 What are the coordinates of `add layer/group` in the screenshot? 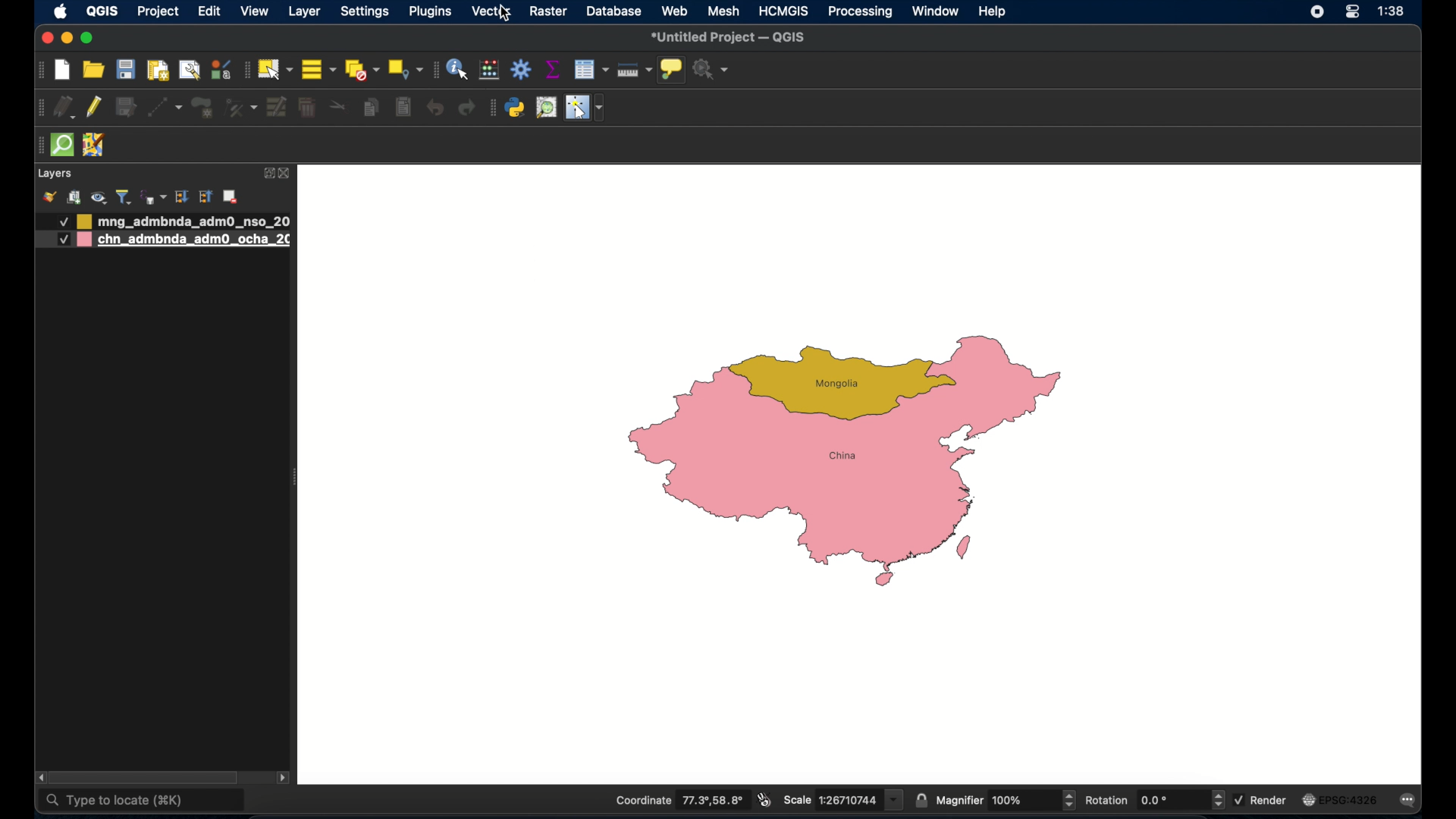 It's located at (230, 197).